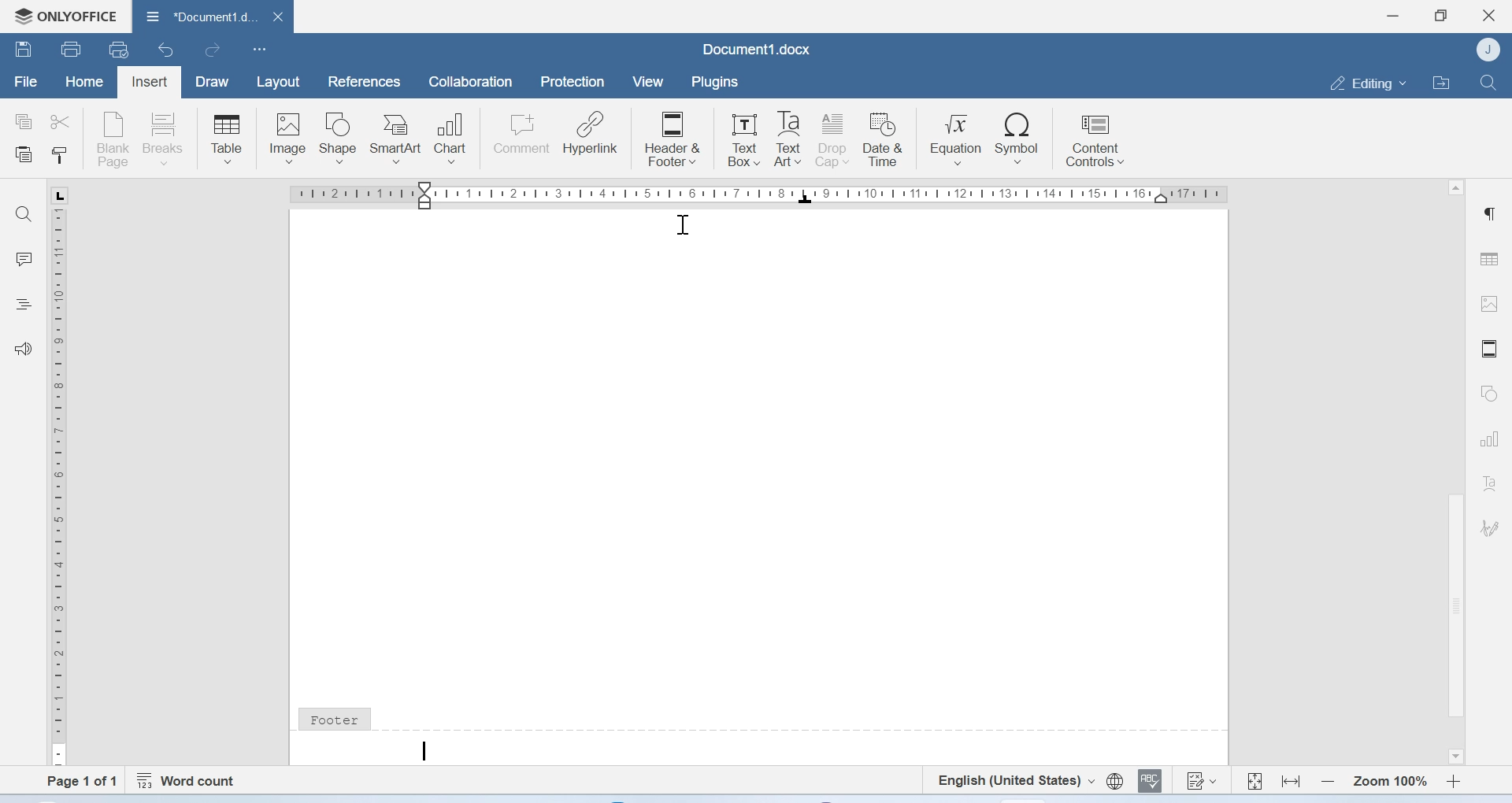 The width and height of the screenshot is (1512, 803). I want to click on Fit to width, so click(1290, 779).